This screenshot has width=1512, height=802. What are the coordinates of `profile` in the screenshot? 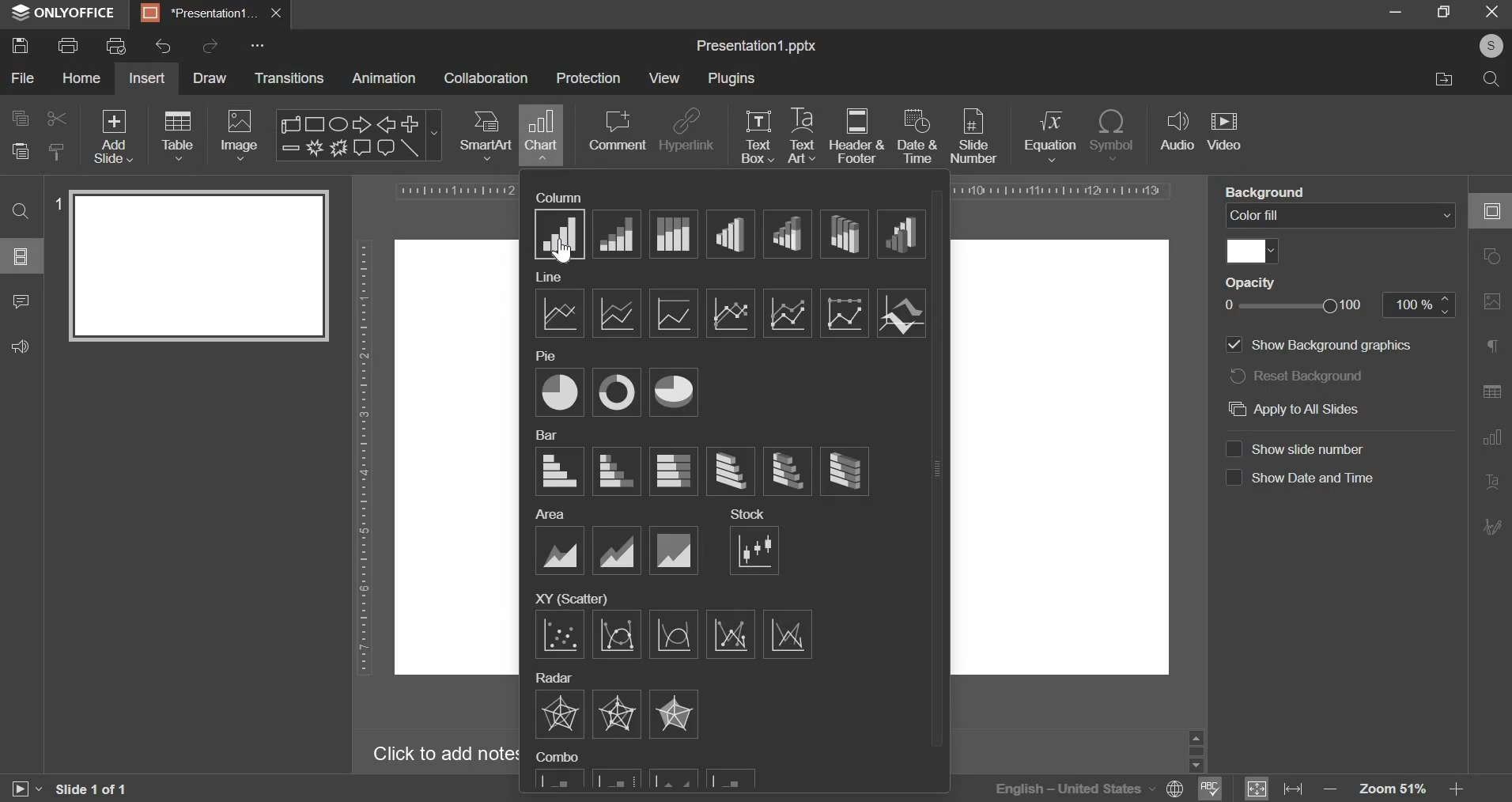 It's located at (1490, 44).